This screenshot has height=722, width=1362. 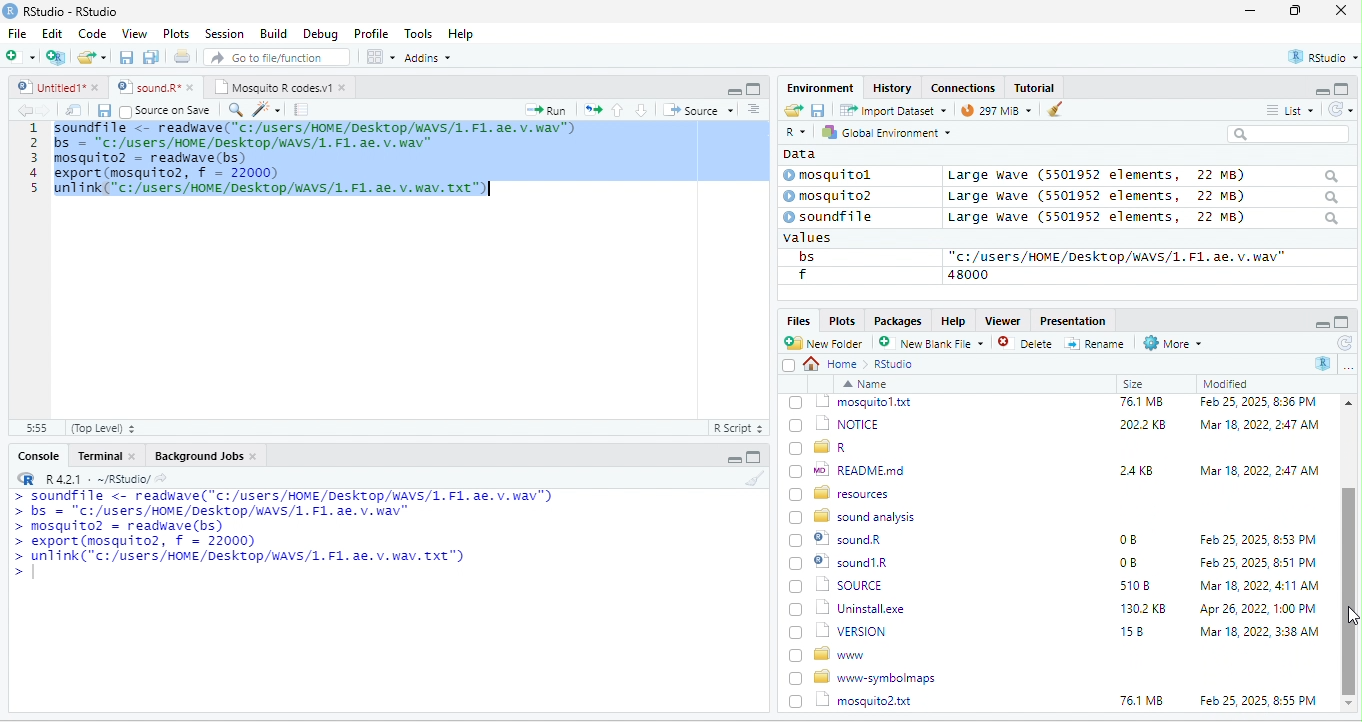 I want to click on Mar 18, 2022, 2:47 AM, so click(x=1254, y=499).